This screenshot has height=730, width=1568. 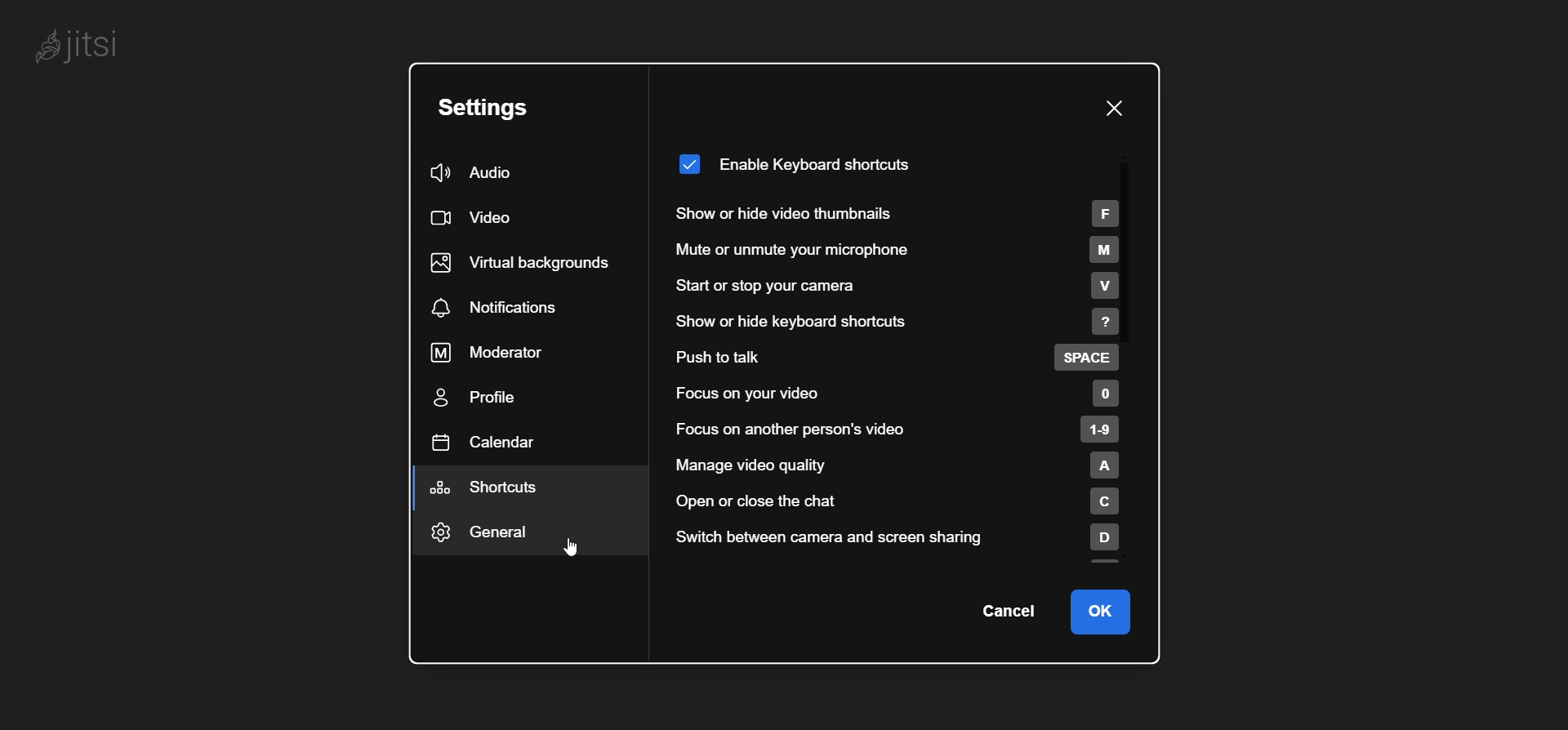 What do you see at coordinates (485, 108) in the screenshot?
I see `setting` at bounding box center [485, 108].